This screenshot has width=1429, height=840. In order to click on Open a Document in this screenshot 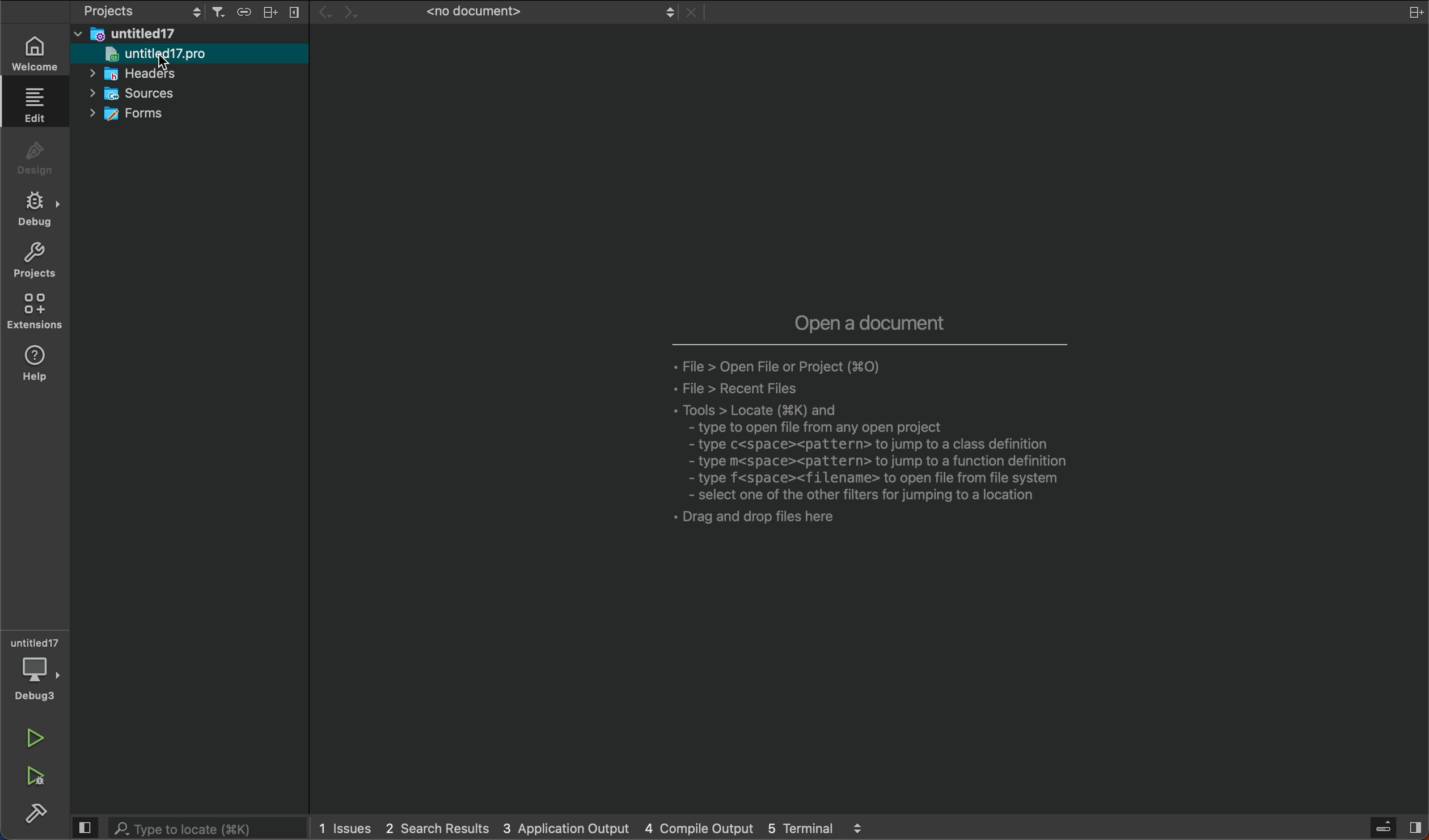, I will do `click(862, 436)`.